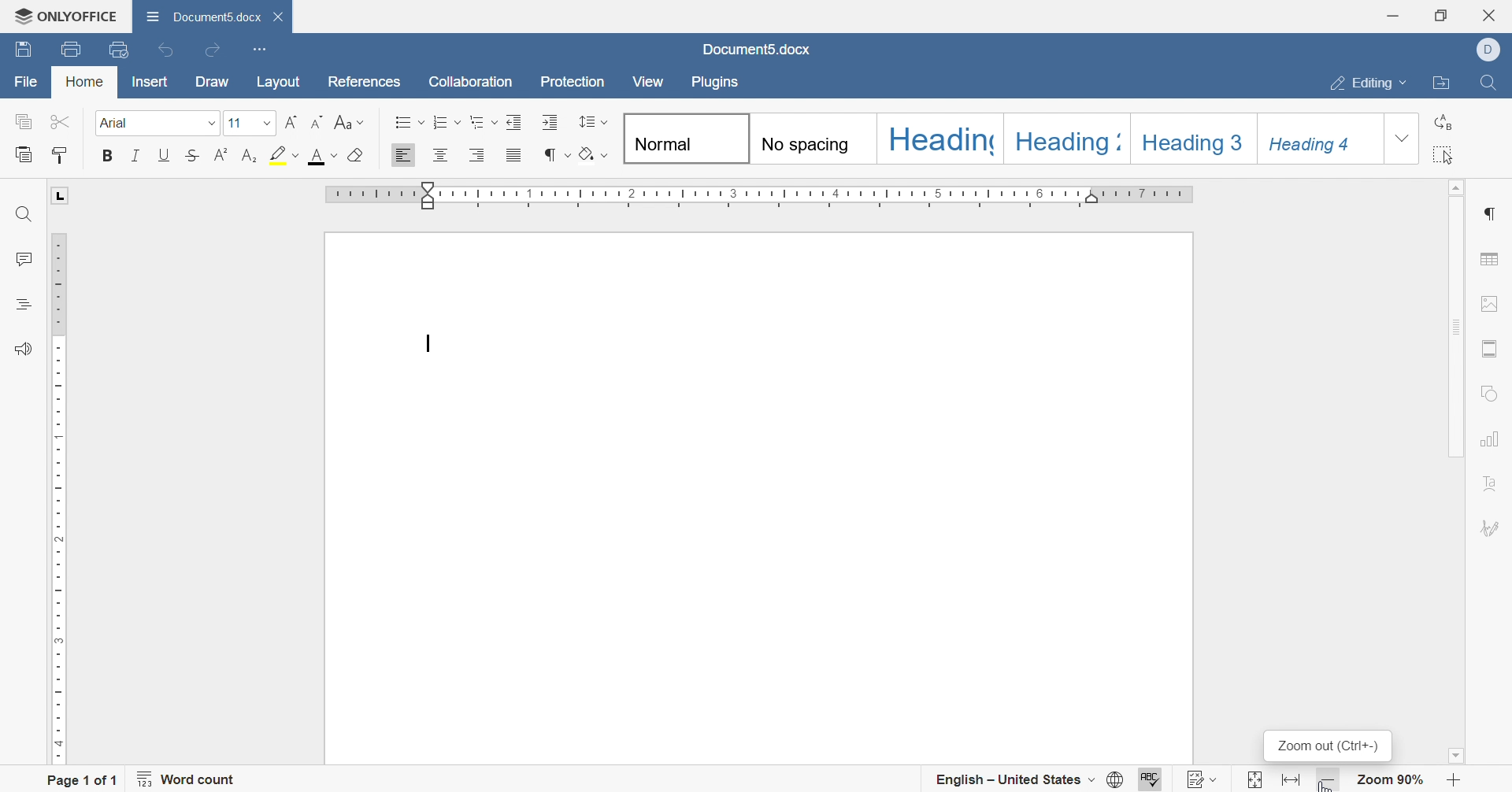 The height and width of the screenshot is (792, 1512). I want to click on ONLYOFFICE, so click(65, 16).